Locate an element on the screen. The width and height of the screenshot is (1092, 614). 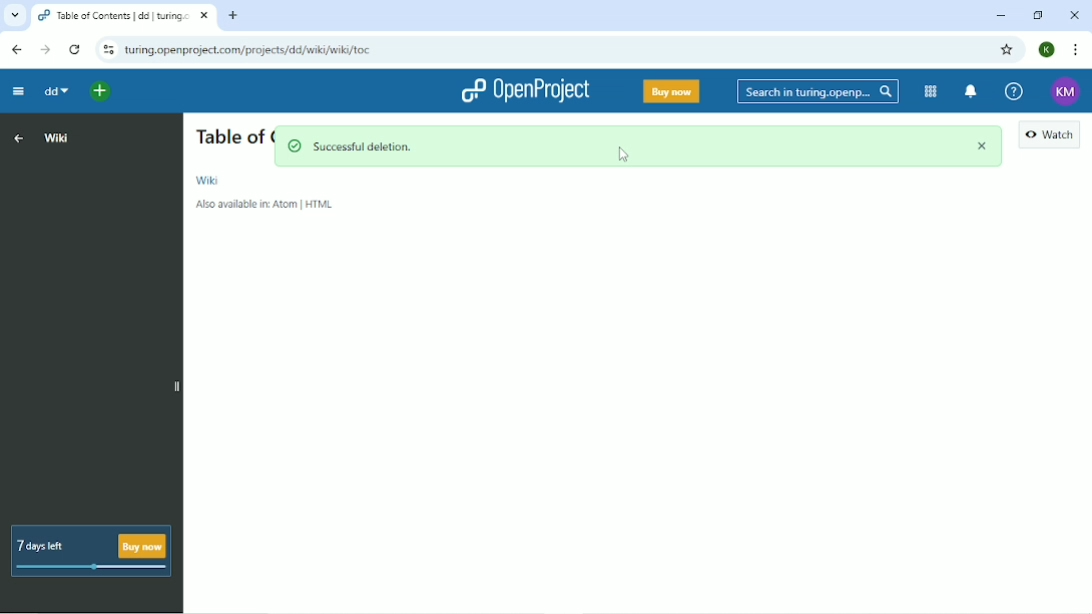
New tab is located at coordinates (233, 15).